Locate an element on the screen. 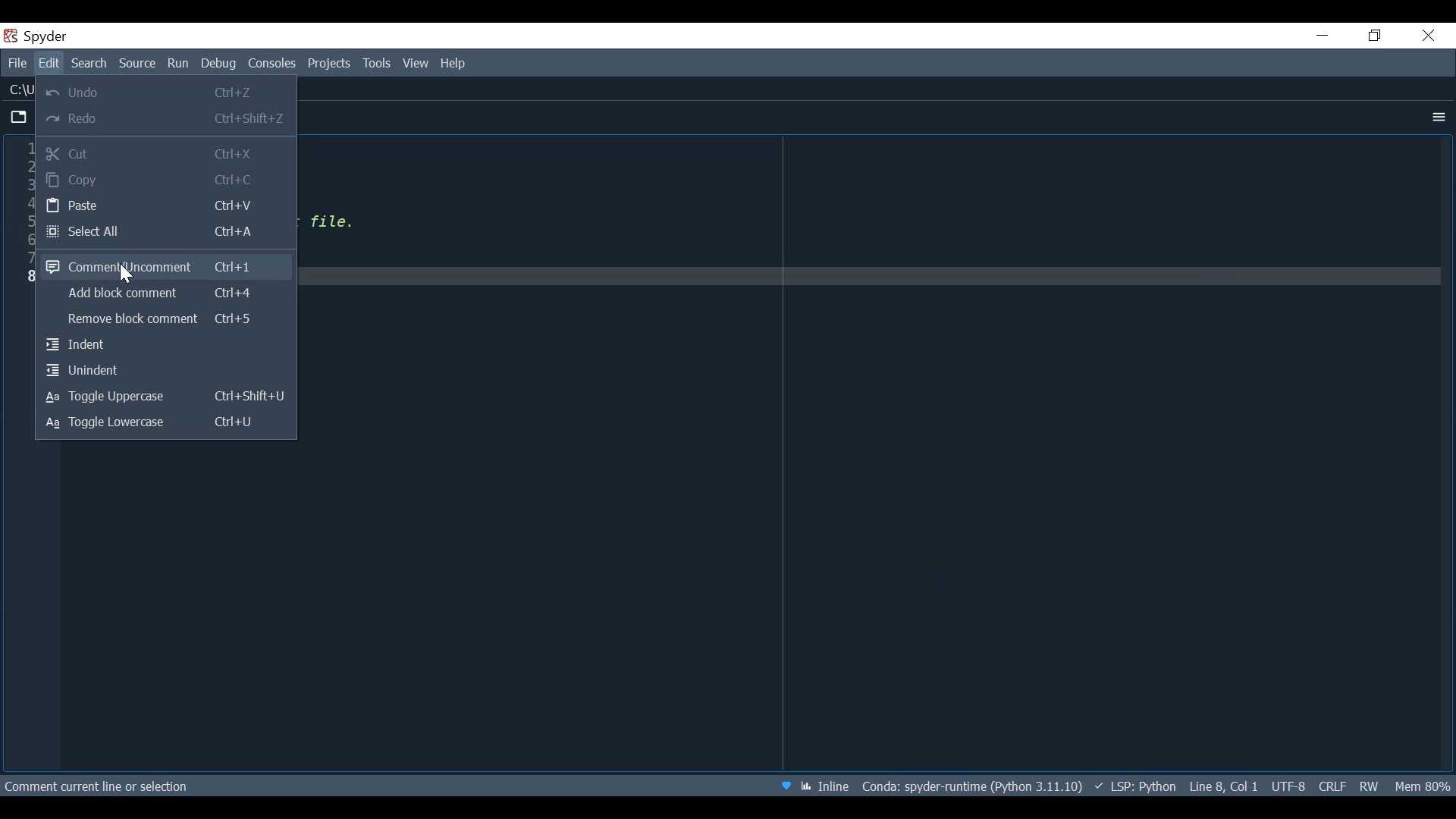  Run is located at coordinates (180, 64).